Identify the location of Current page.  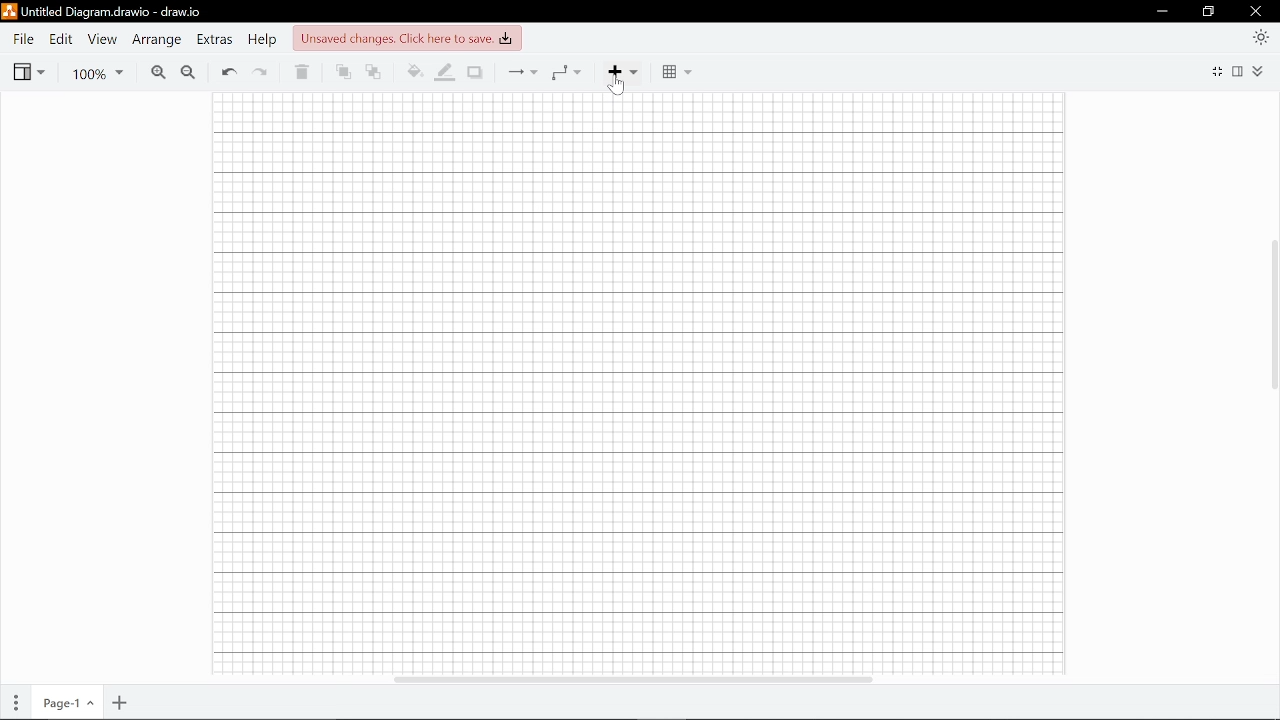
(66, 704).